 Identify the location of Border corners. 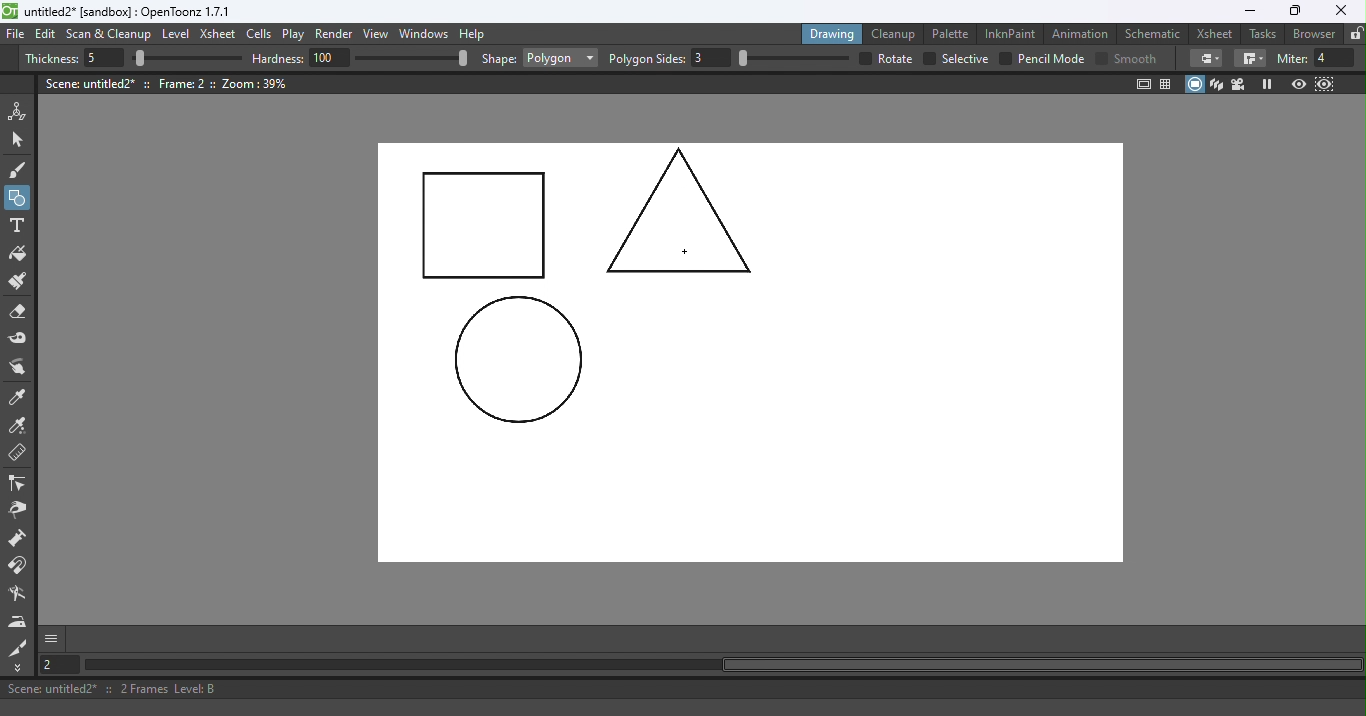
(1206, 58).